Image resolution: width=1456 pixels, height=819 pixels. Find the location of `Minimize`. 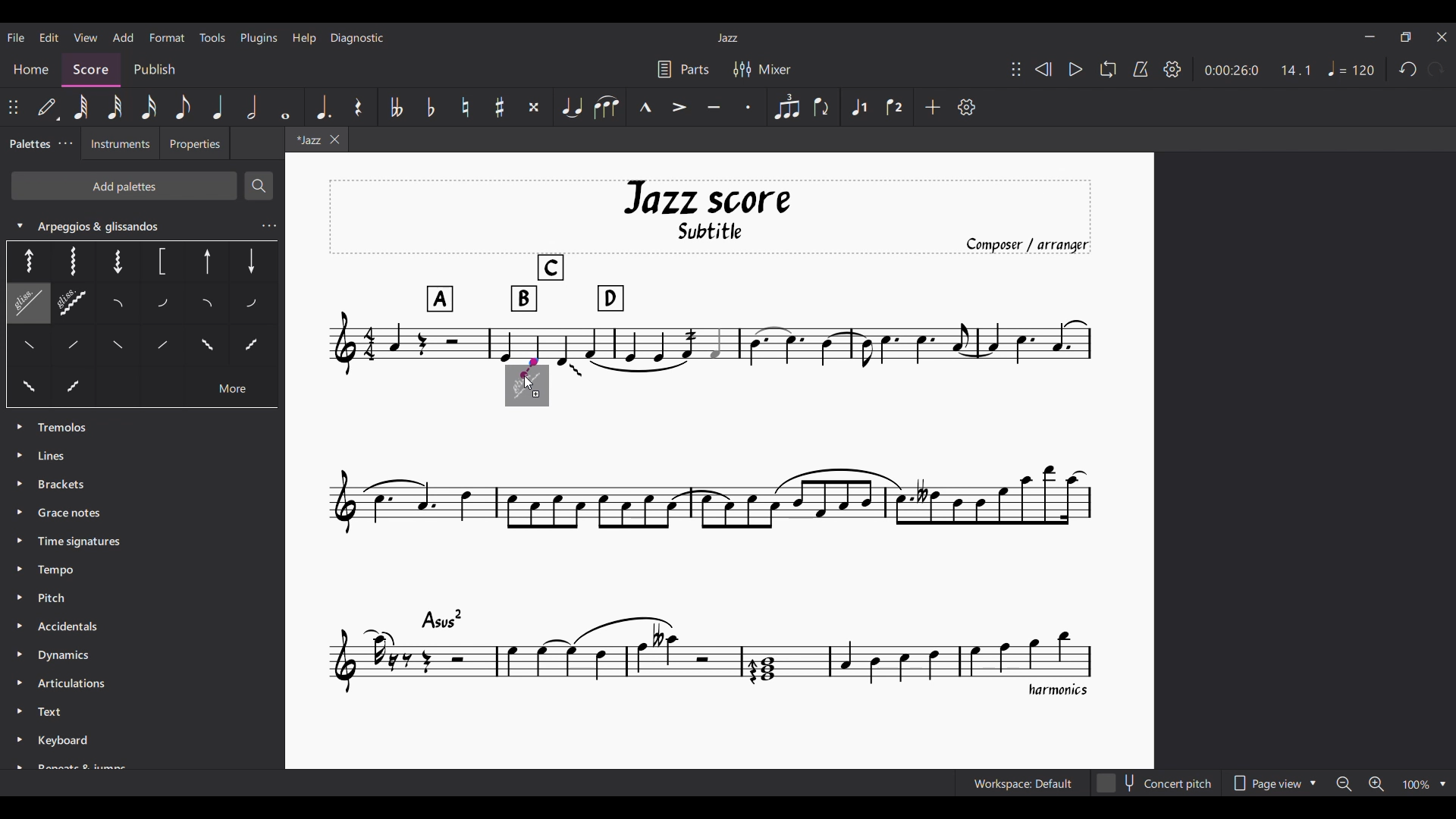

Minimize is located at coordinates (1370, 36).